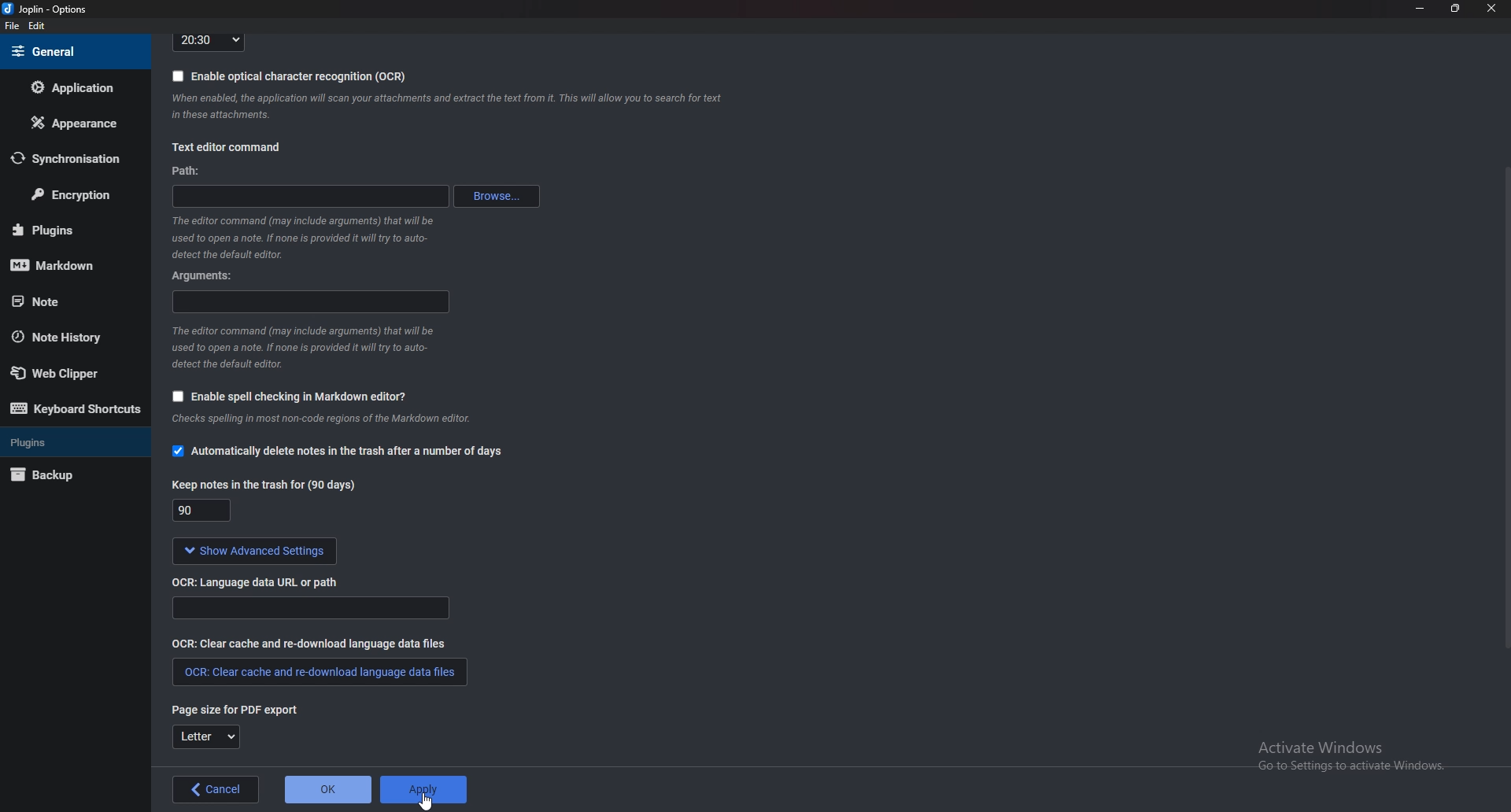 The width and height of the screenshot is (1511, 812). What do you see at coordinates (267, 484) in the screenshot?
I see `Keep notes in the trash for` at bounding box center [267, 484].